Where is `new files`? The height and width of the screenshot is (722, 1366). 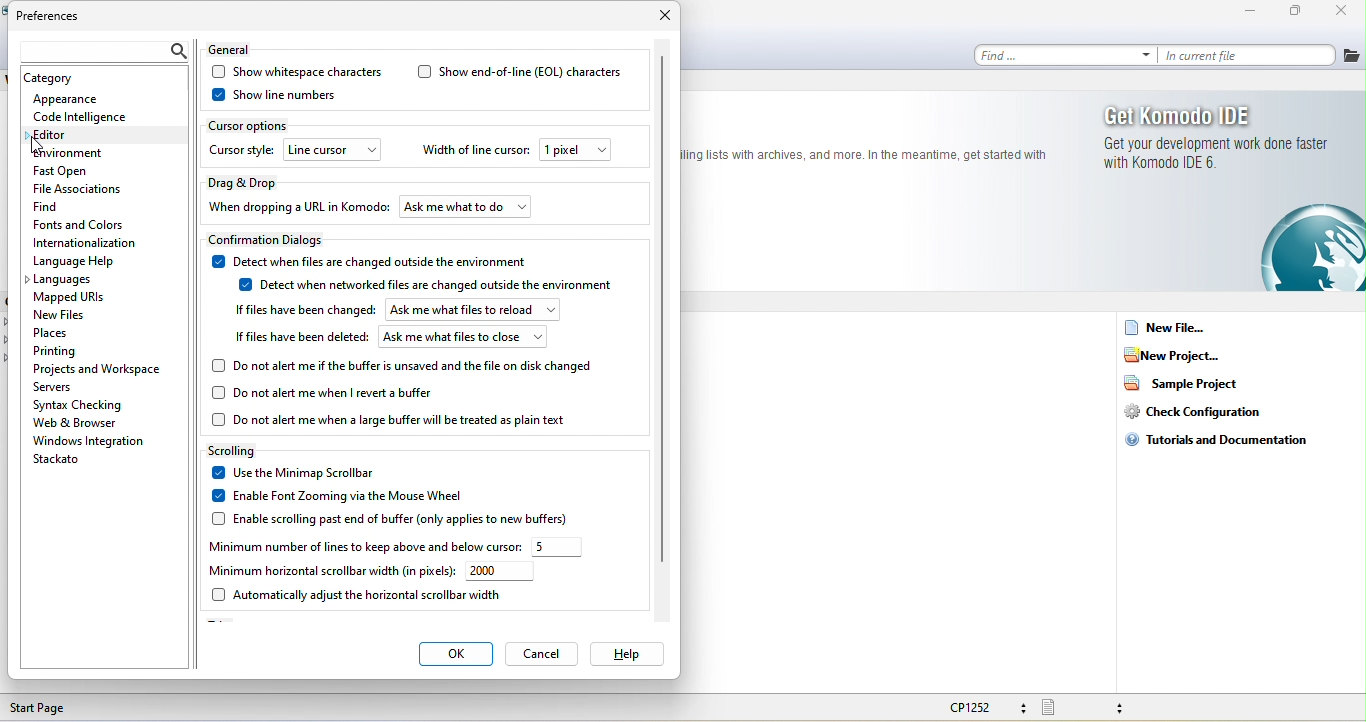 new files is located at coordinates (66, 314).